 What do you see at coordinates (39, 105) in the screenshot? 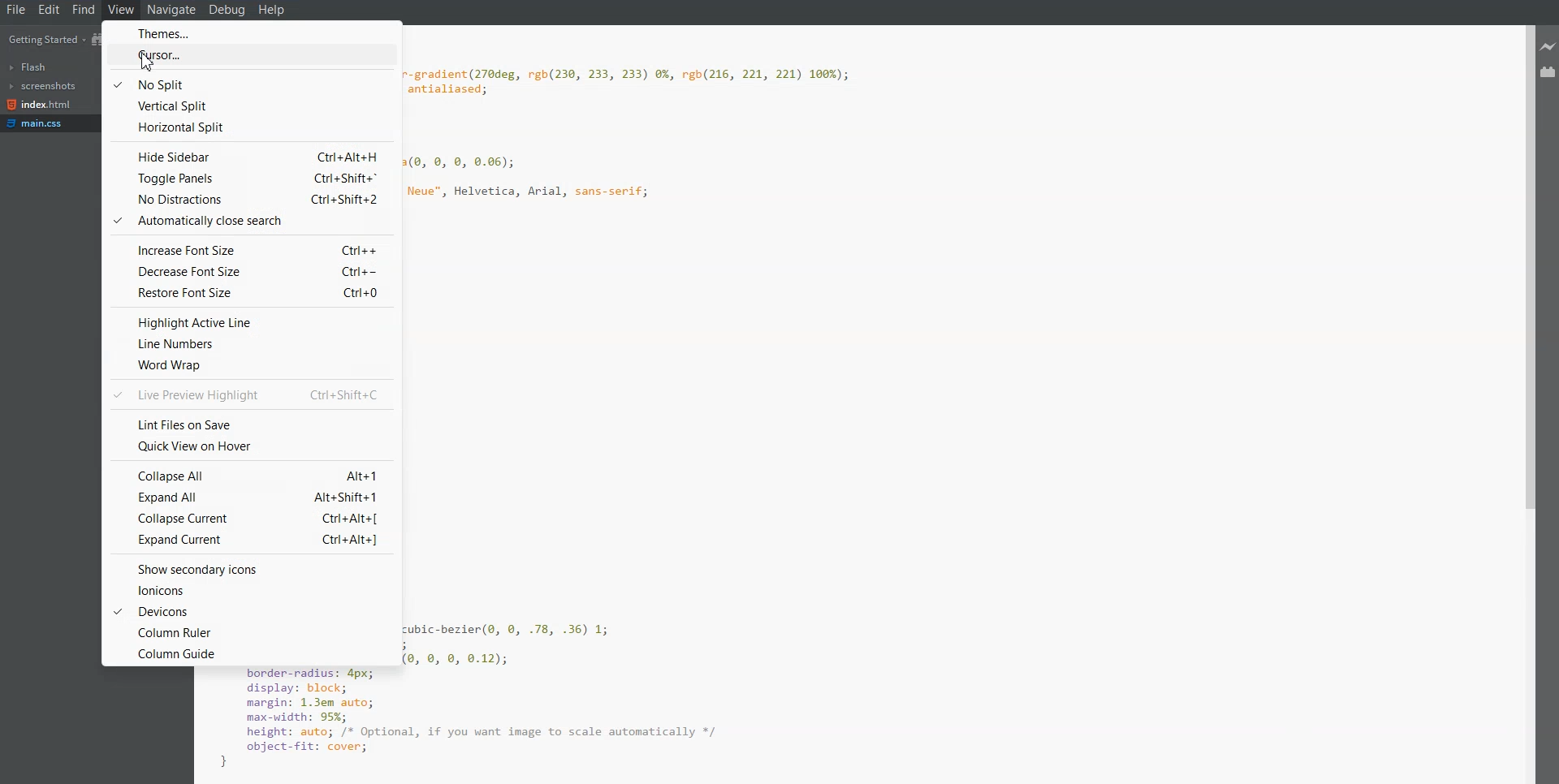
I see `index.html` at bounding box center [39, 105].